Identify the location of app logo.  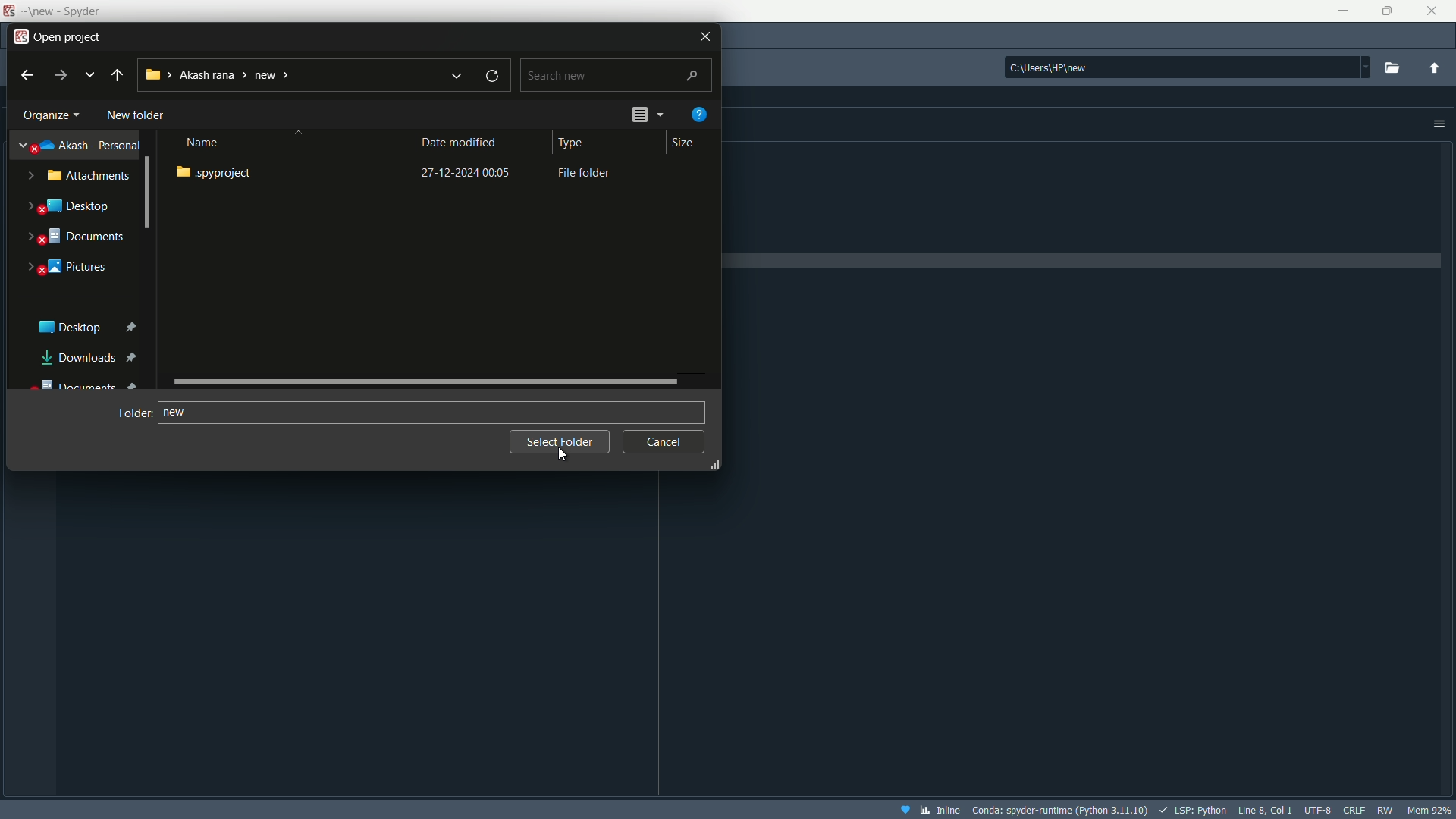
(20, 35).